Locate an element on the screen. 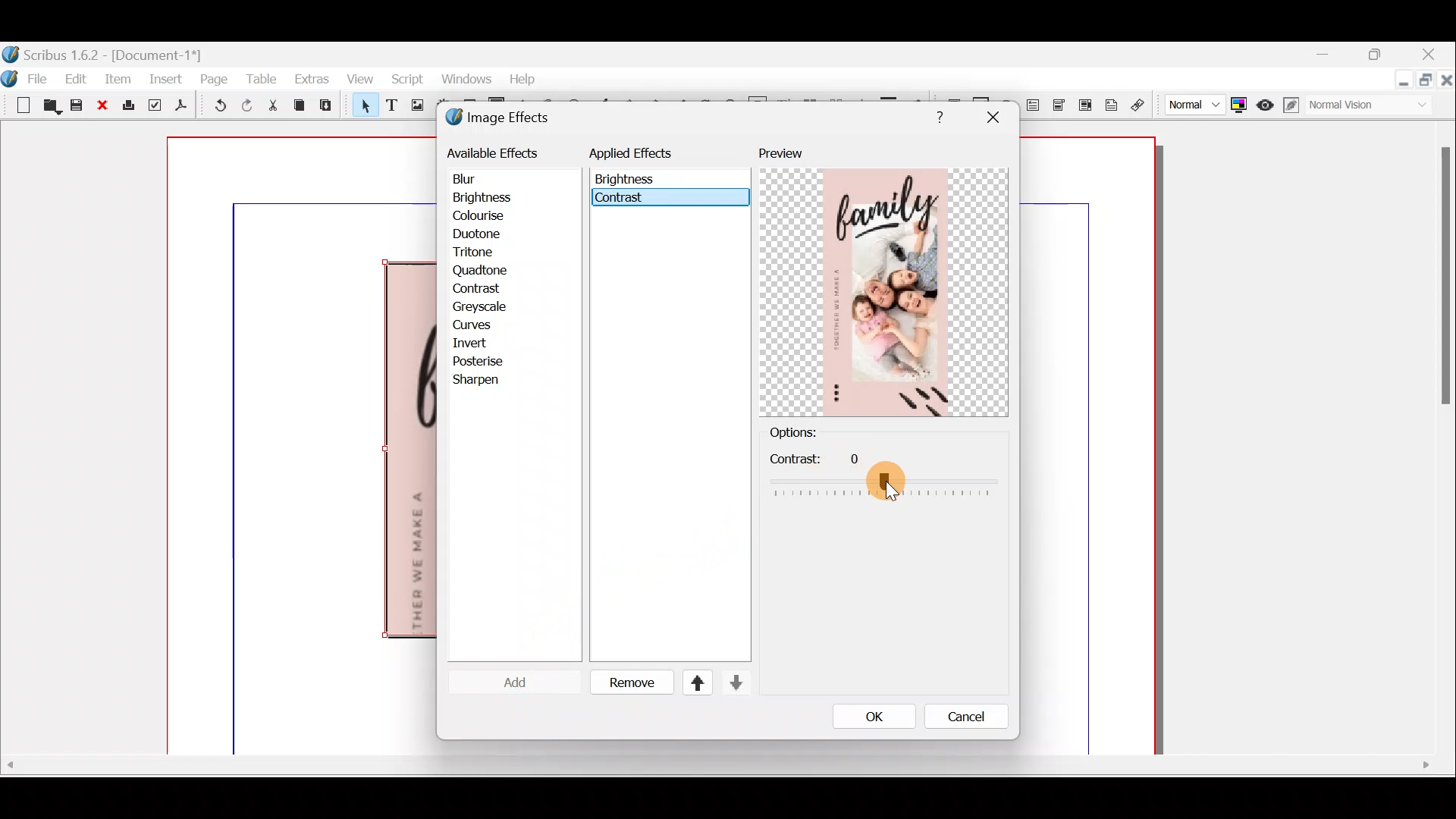 This screenshot has height=819, width=1456. Open is located at coordinates (49, 108).